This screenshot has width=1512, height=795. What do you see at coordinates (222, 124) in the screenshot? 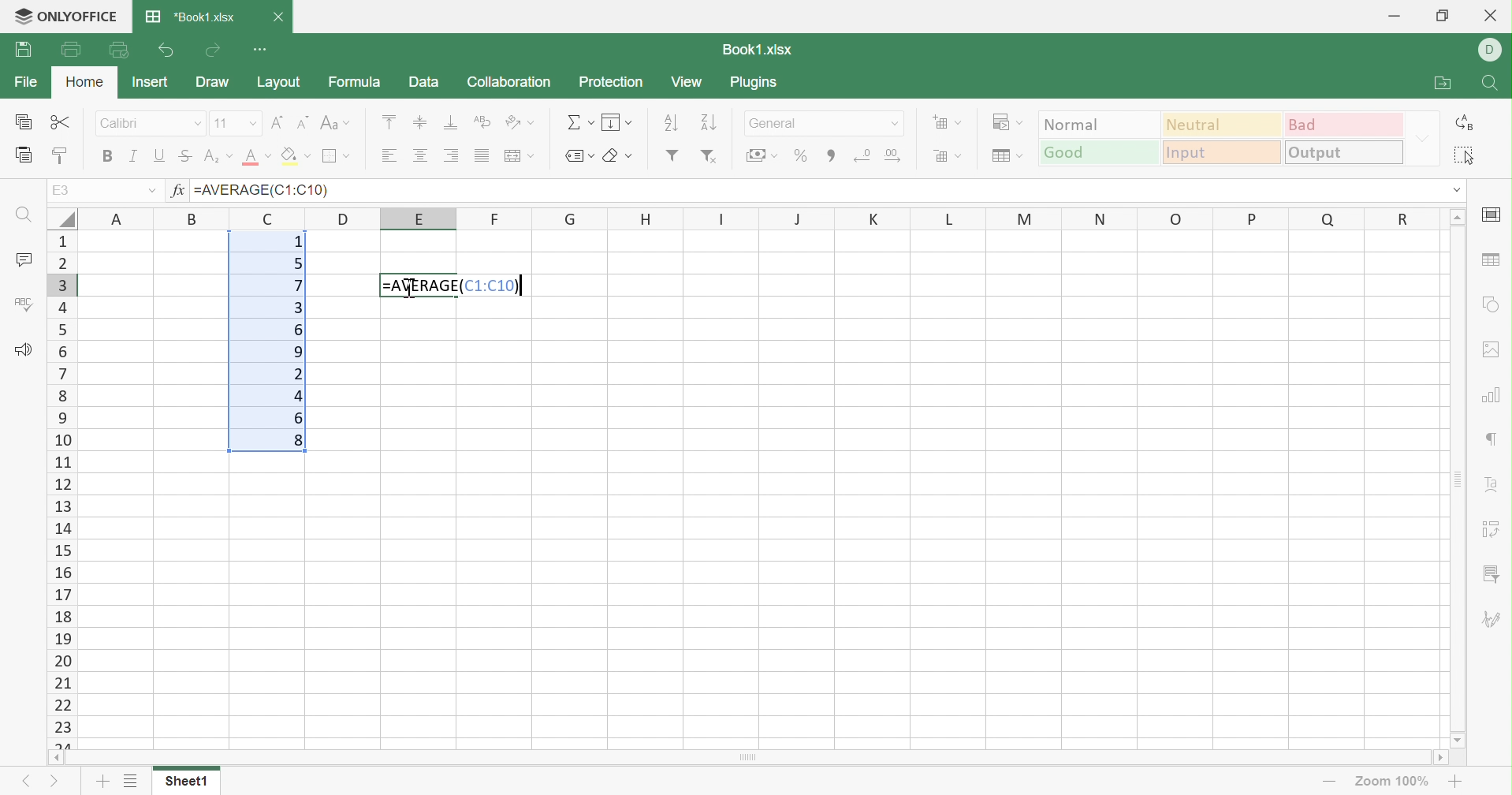
I see `11` at bounding box center [222, 124].